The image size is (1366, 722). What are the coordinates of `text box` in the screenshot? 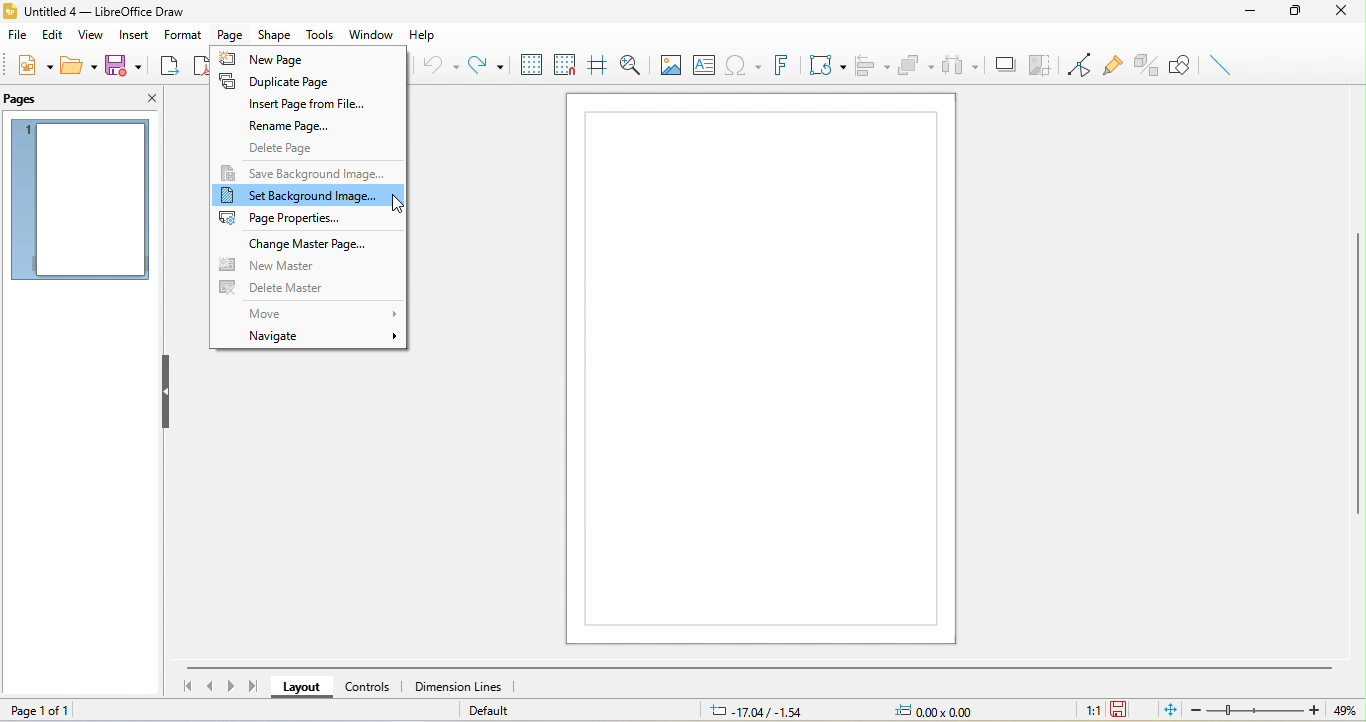 It's located at (707, 66).